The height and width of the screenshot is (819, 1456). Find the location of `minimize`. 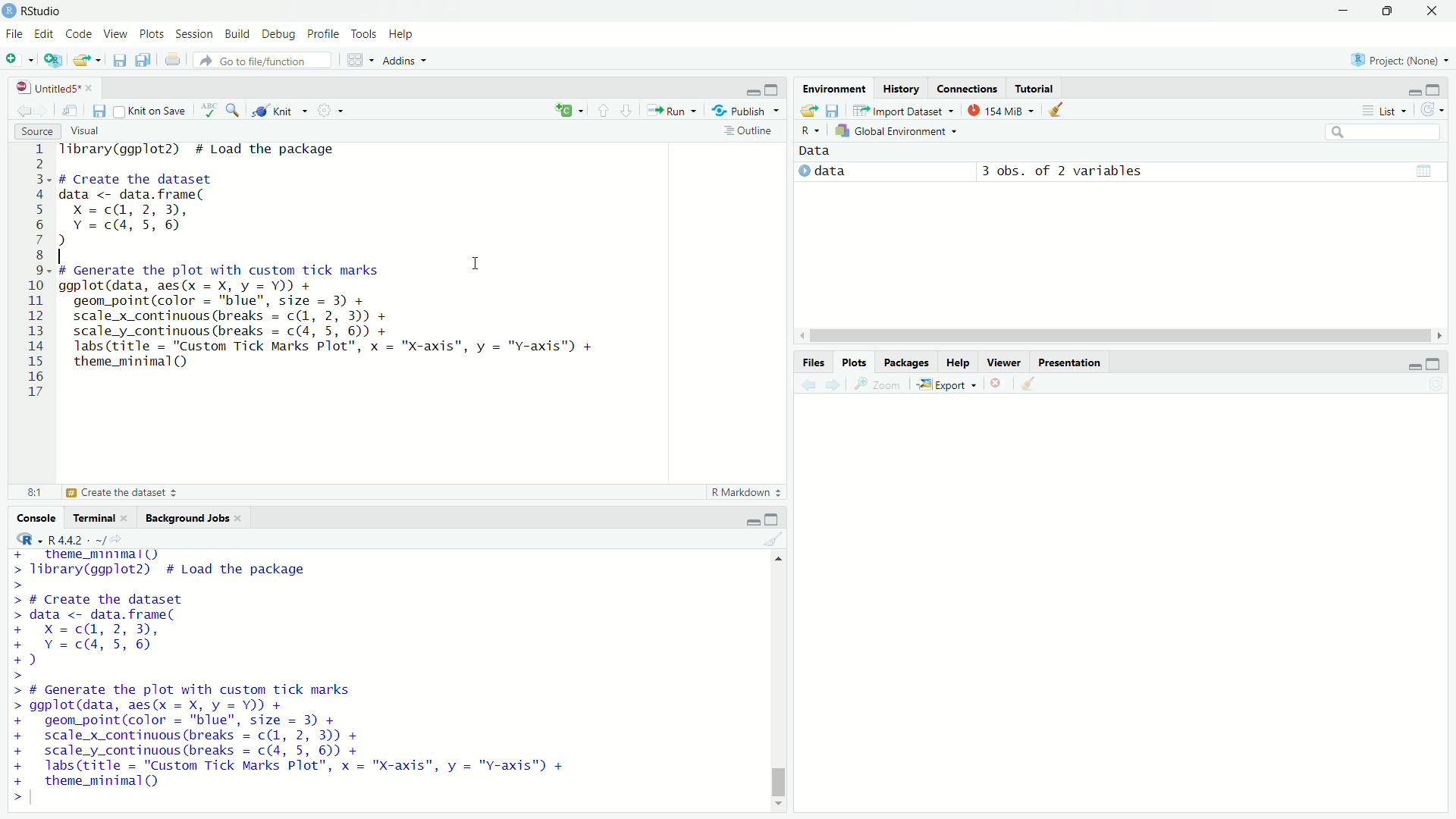

minimize is located at coordinates (744, 518).